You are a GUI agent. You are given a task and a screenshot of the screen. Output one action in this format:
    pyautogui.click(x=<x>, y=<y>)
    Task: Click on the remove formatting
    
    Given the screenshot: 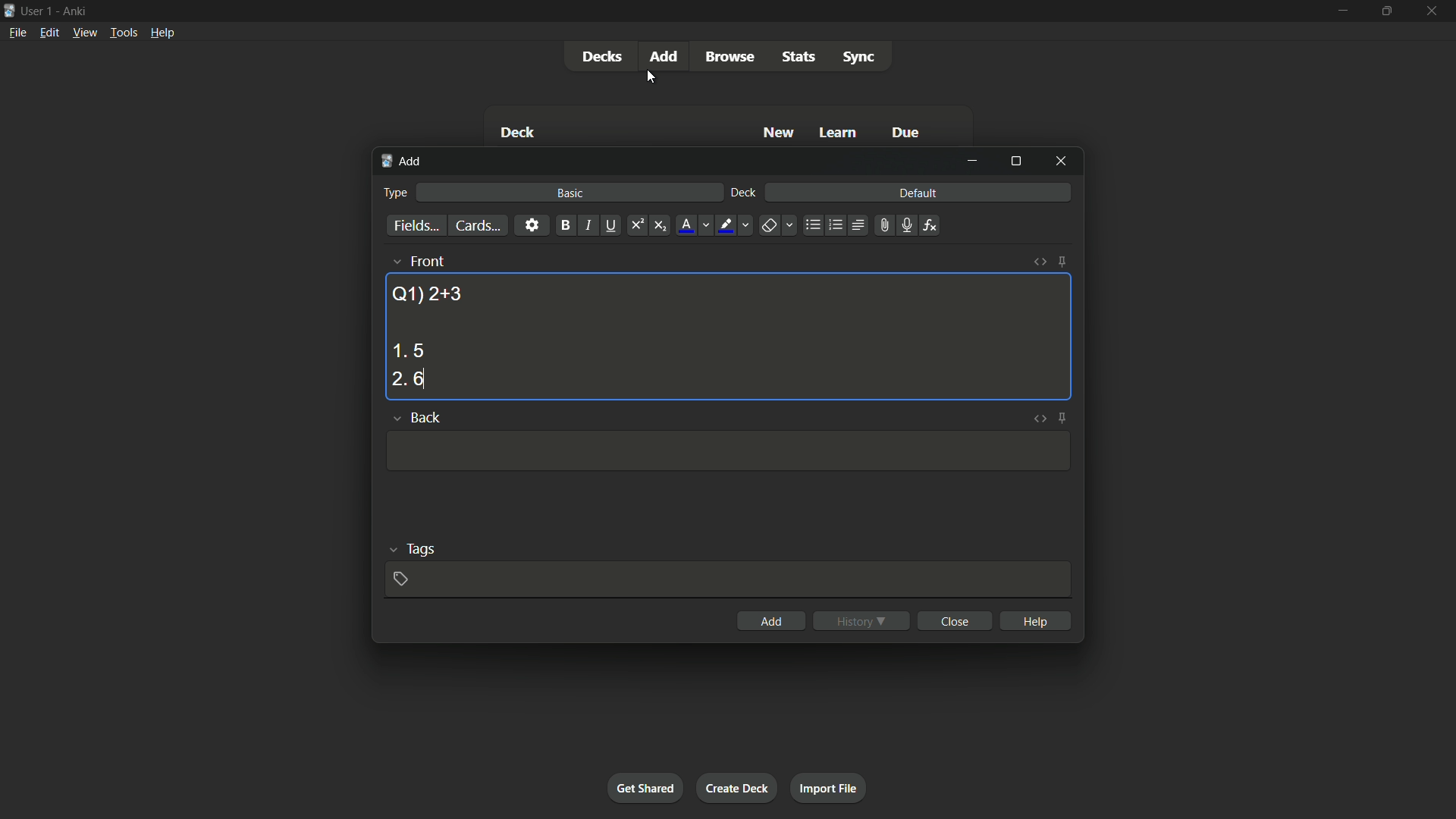 What is the action you would take?
    pyautogui.click(x=769, y=227)
    